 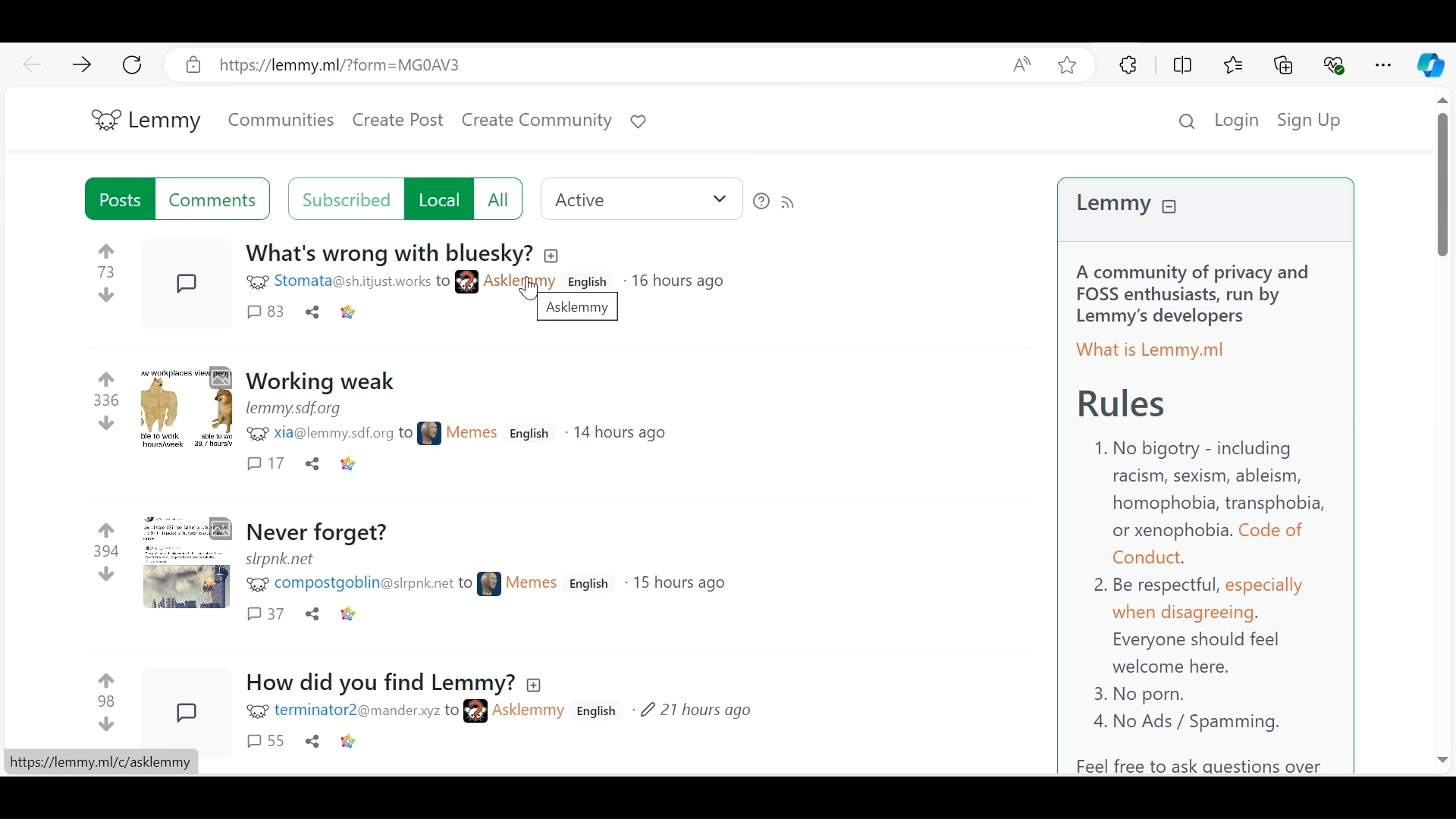 I want to click on Browser essentials, so click(x=1335, y=66).